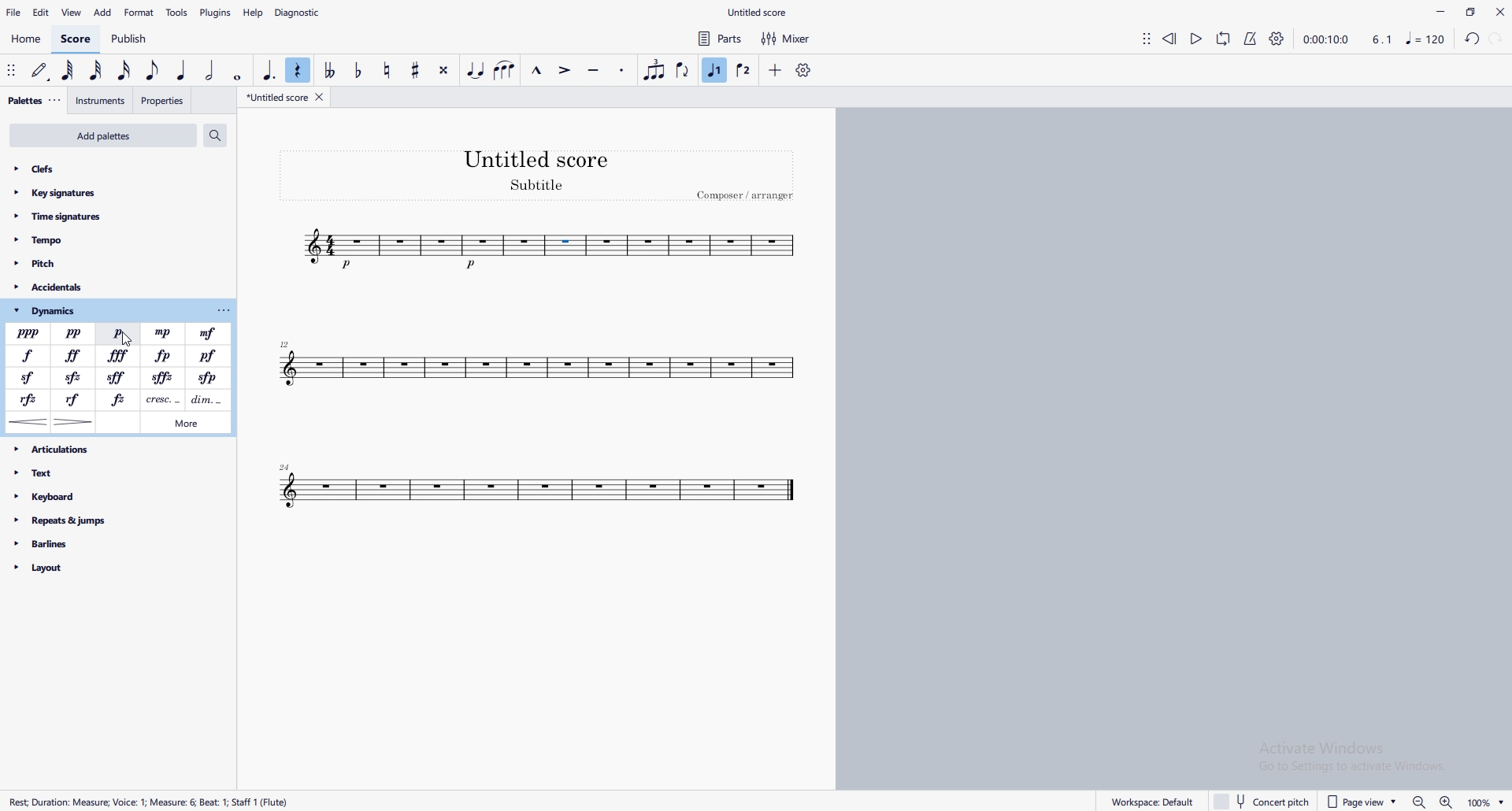 This screenshot has height=811, width=1512. What do you see at coordinates (162, 401) in the screenshot?
I see `crescendo line` at bounding box center [162, 401].